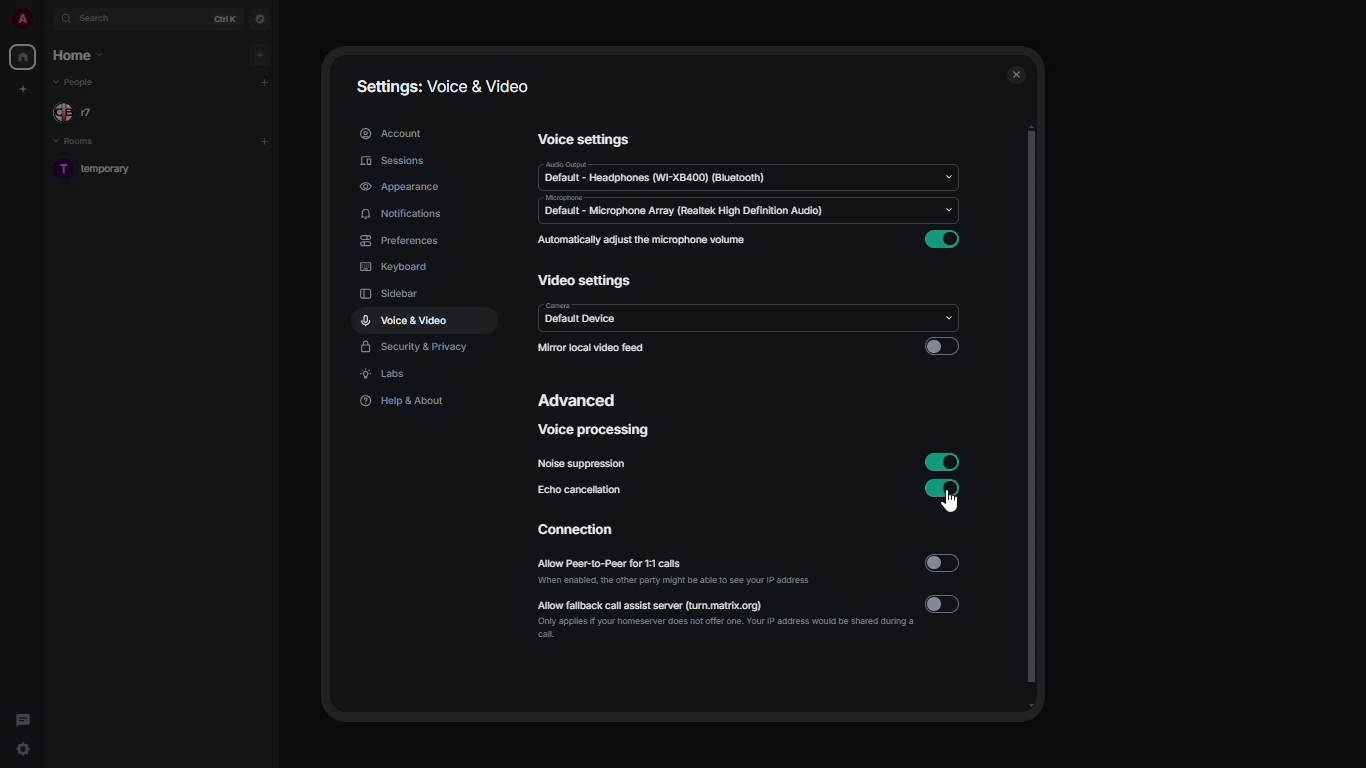 Image resolution: width=1366 pixels, height=768 pixels. What do you see at coordinates (22, 19) in the screenshot?
I see `profile` at bounding box center [22, 19].